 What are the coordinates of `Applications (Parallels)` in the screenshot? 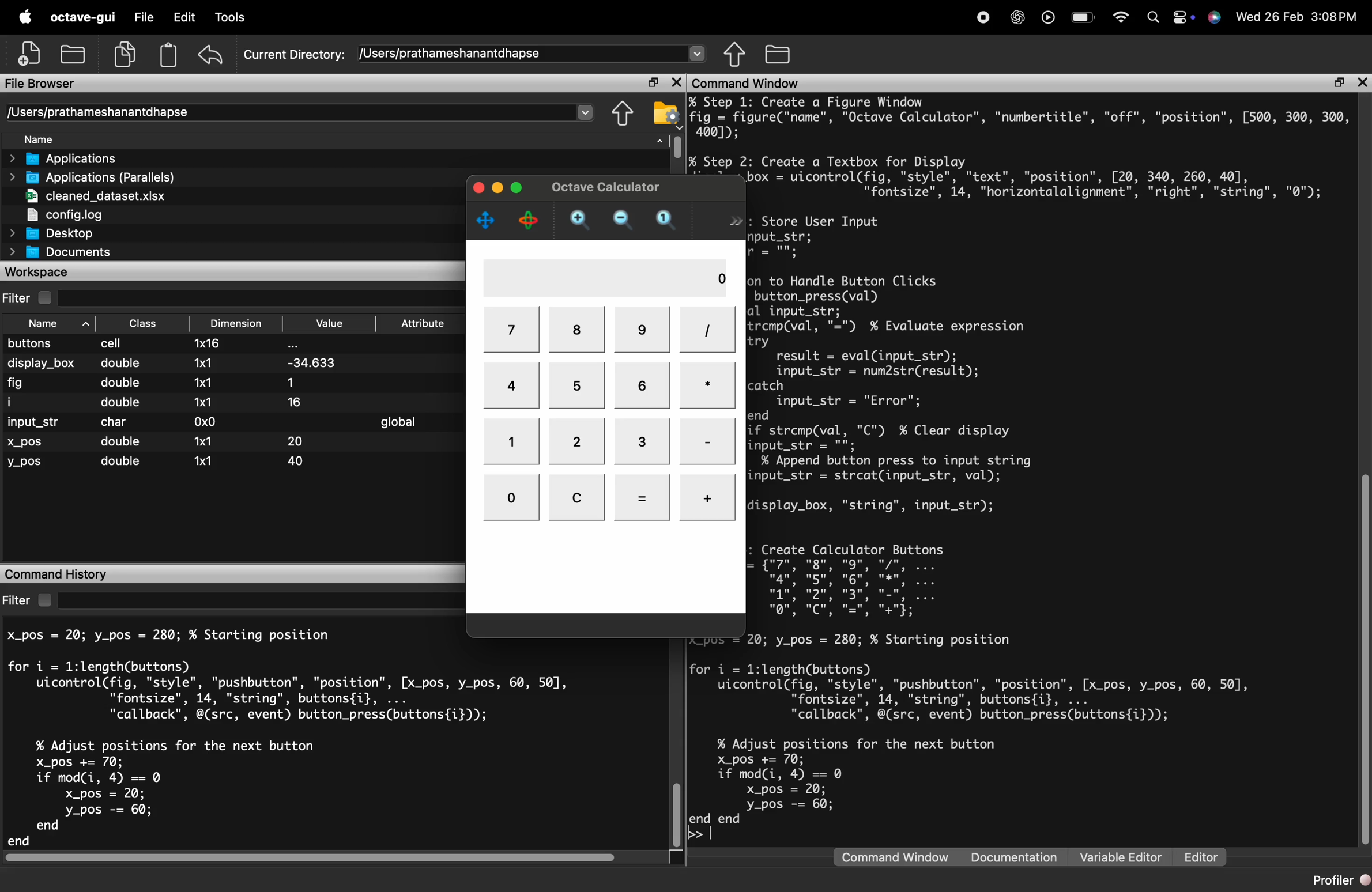 It's located at (92, 177).